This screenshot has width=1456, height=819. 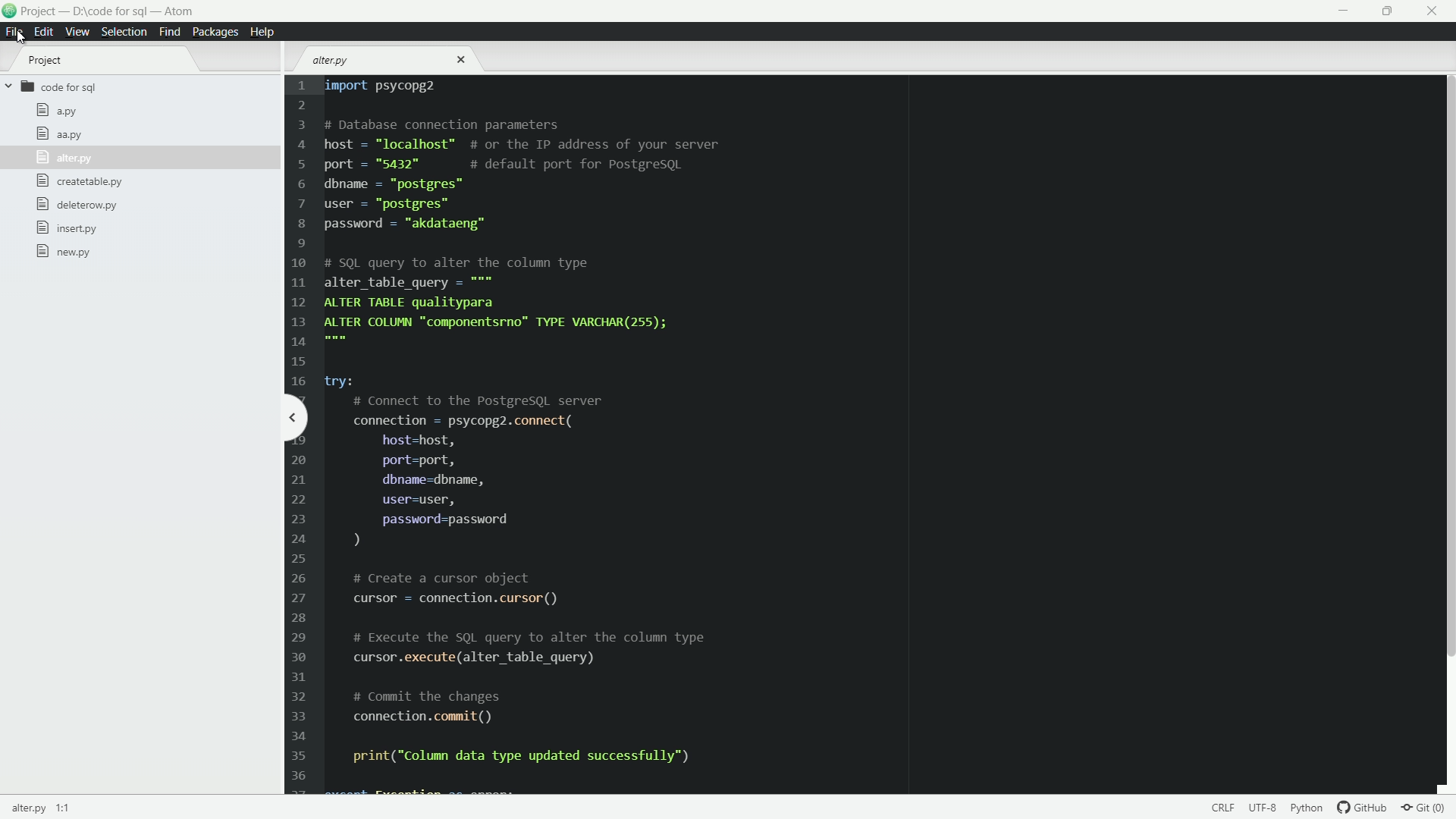 I want to click on import psycopg2 # Database connection parametershost = "localhost™ # or the IP address of your serverport = "5432" # default port for PostgresqQLdbname = “postgres”user = “postgres”password = "akdataeng”# SQL query to alter the column typealter_table_query = """ALTER TABLE qualityparaALTER COLUMN "componentsrno™ TYPE VARCHAR(255);try:# Connect to the PostgresqL serverconnection = psycopg2.connect(host=host,port=port,dbname=dbname,user=user,password=password)# Create a cursor objectcursor = connection.cursor()# Execute the SQL query to alter the column typecursor .execute(alter_table_query)# Commit the changesconnection. commit ()print("Column data type updated successfully"), so click(x=517, y=428).